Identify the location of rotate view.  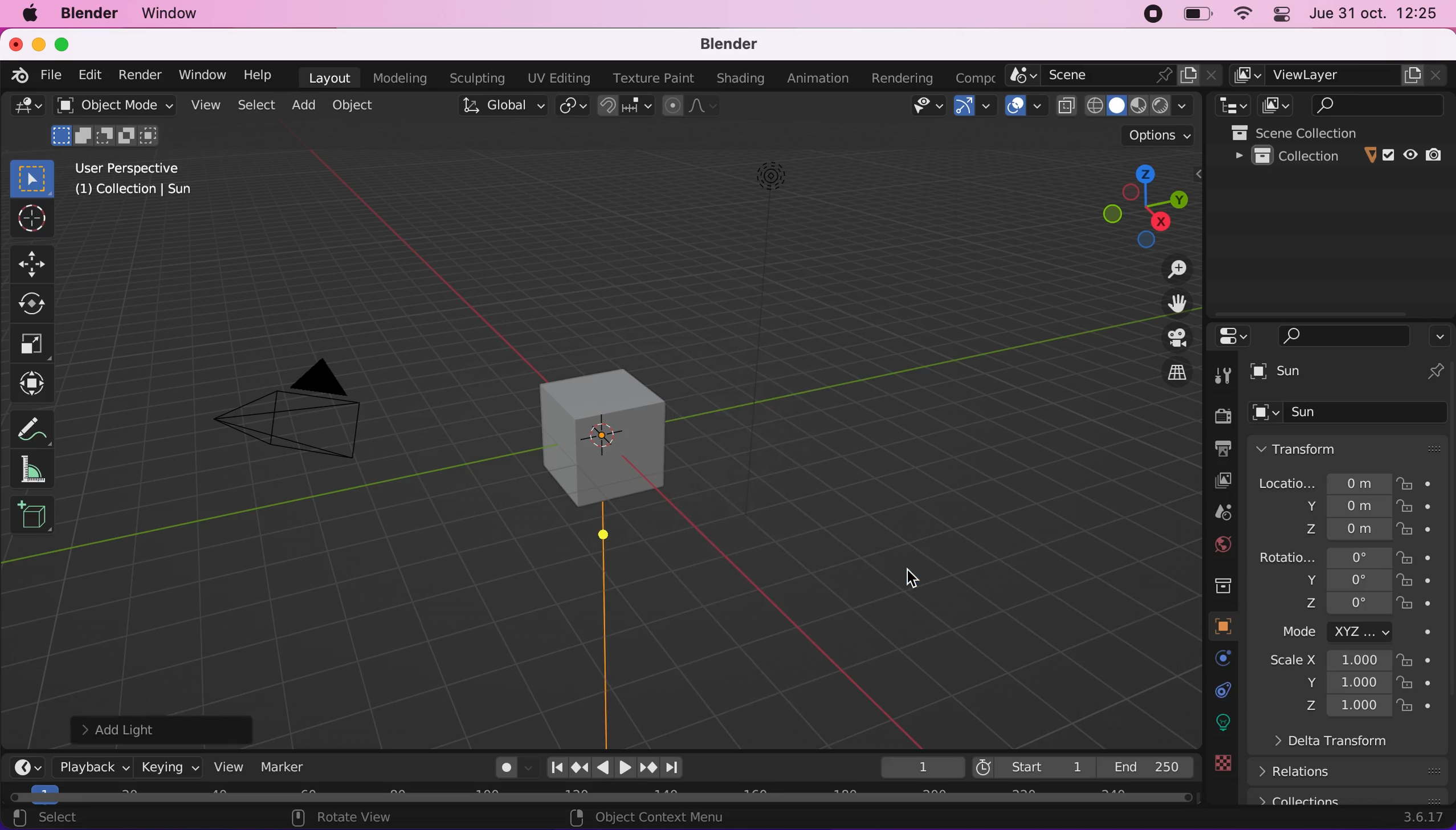
(360, 817).